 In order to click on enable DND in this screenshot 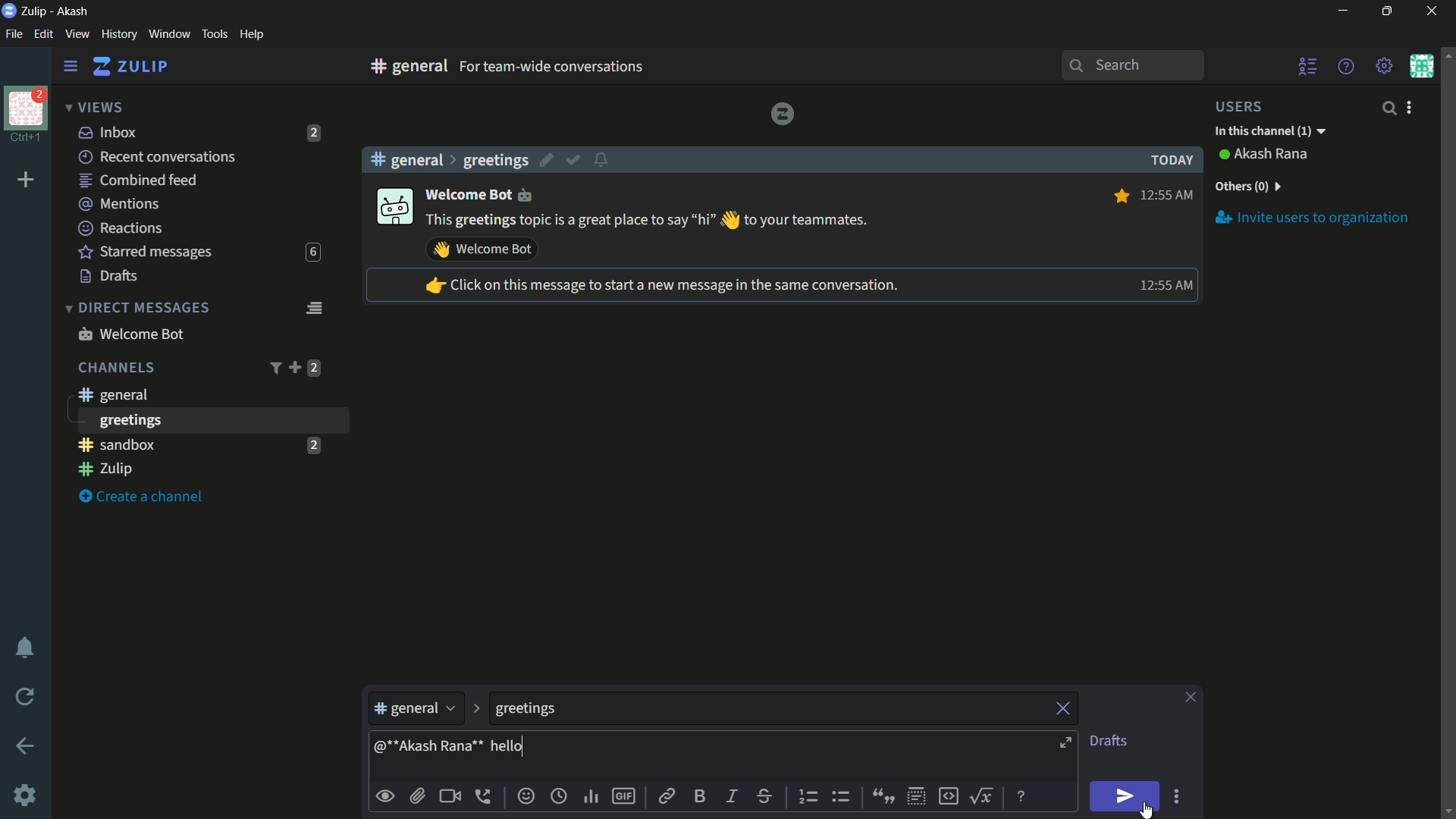, I will do `click(25, 648)`.